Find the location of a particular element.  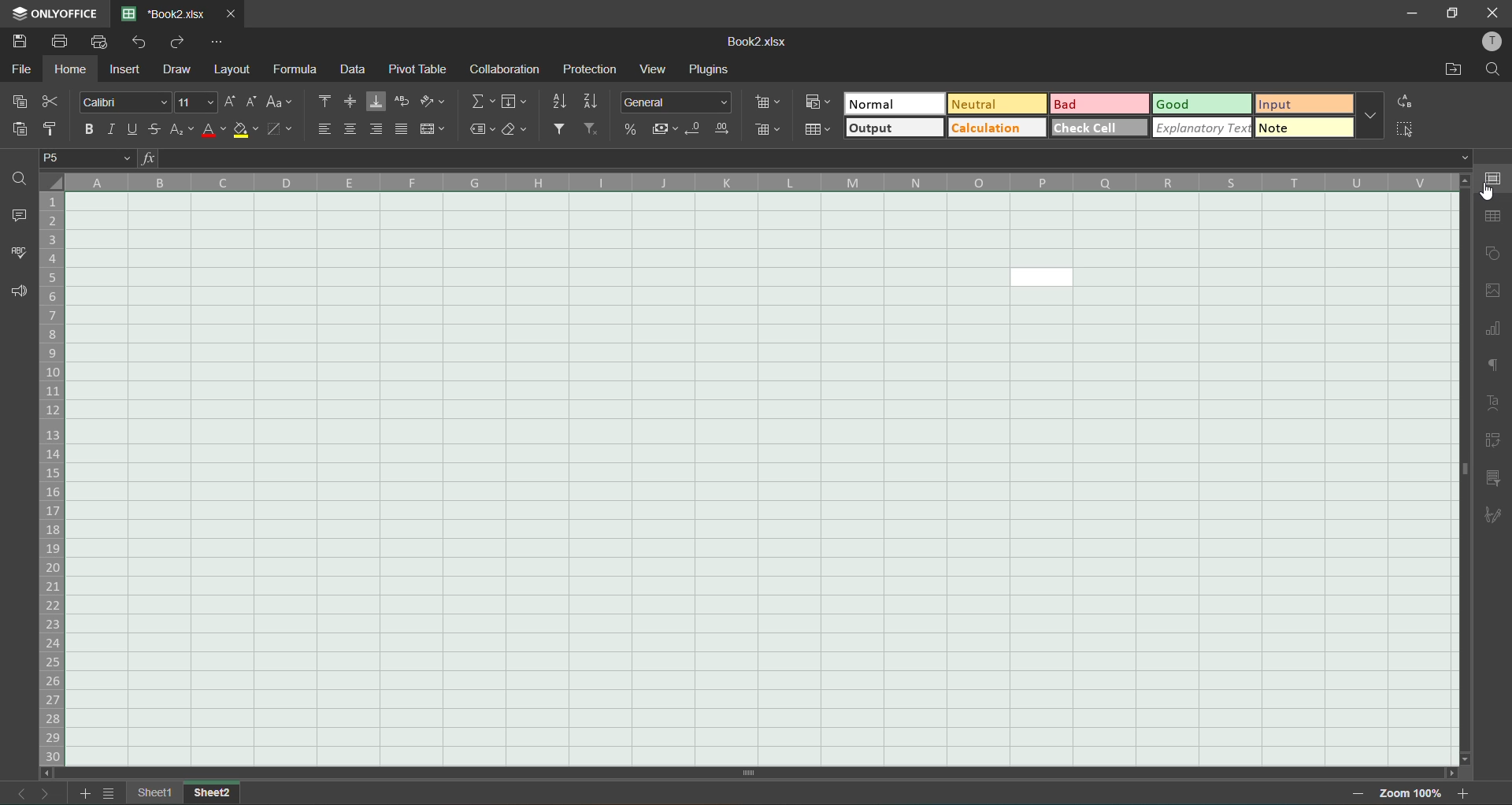

text is located at coordinates (1495, 406).